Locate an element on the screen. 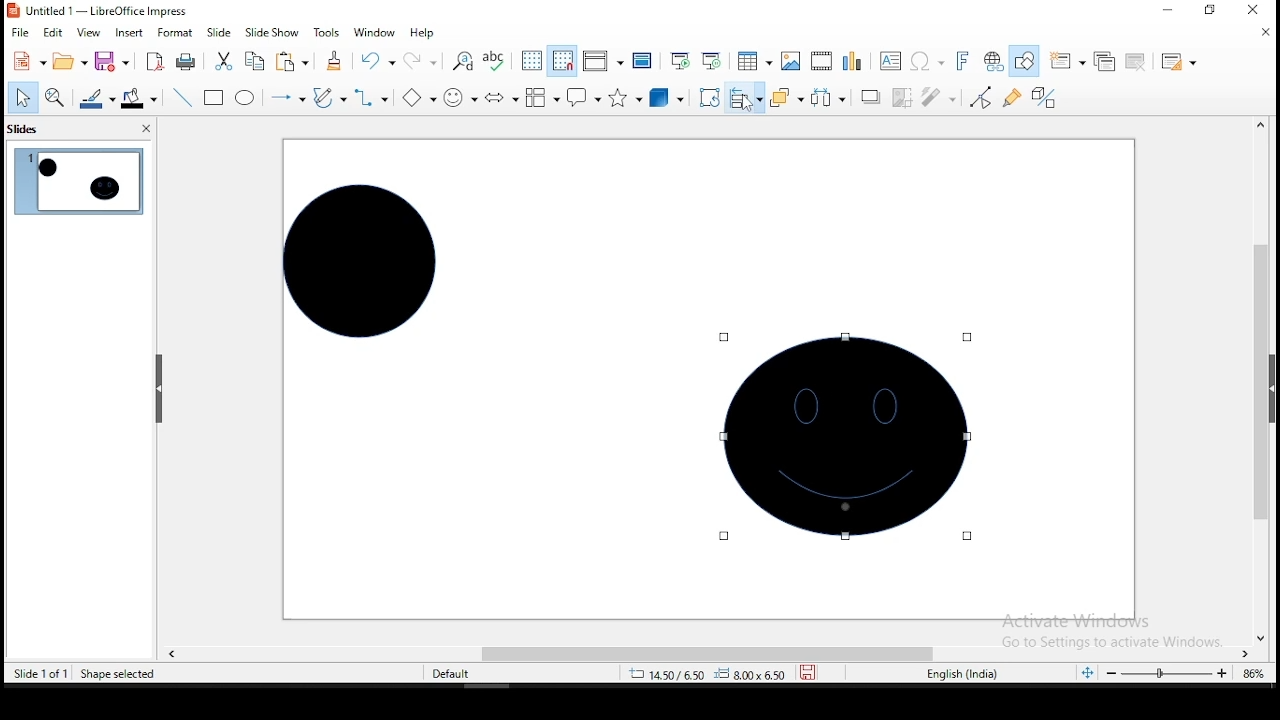  line is located at coordinates (182, 98).